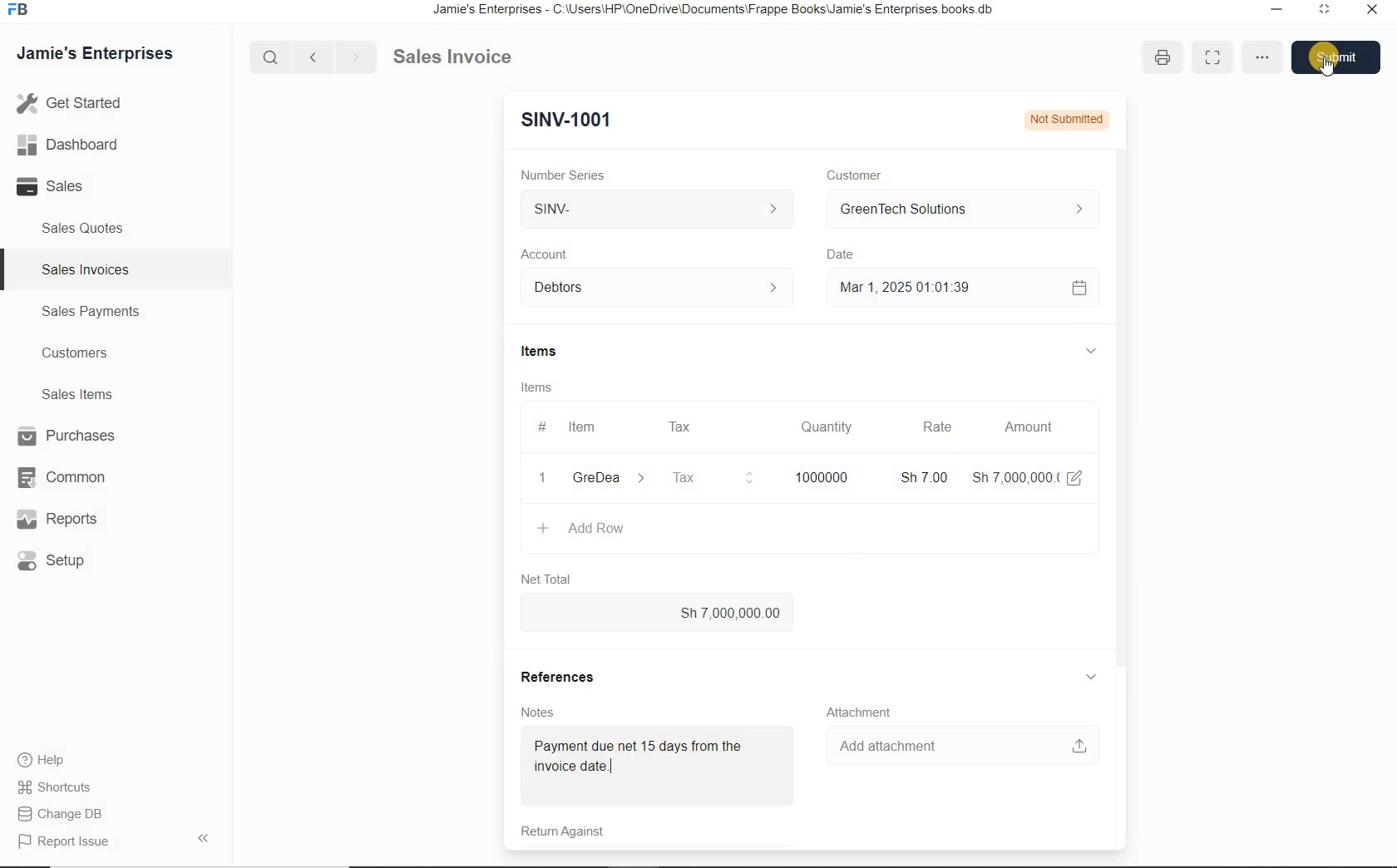  Describe the element at coordinates (849, 175) in the screenshot. I see `Customer` at that location.